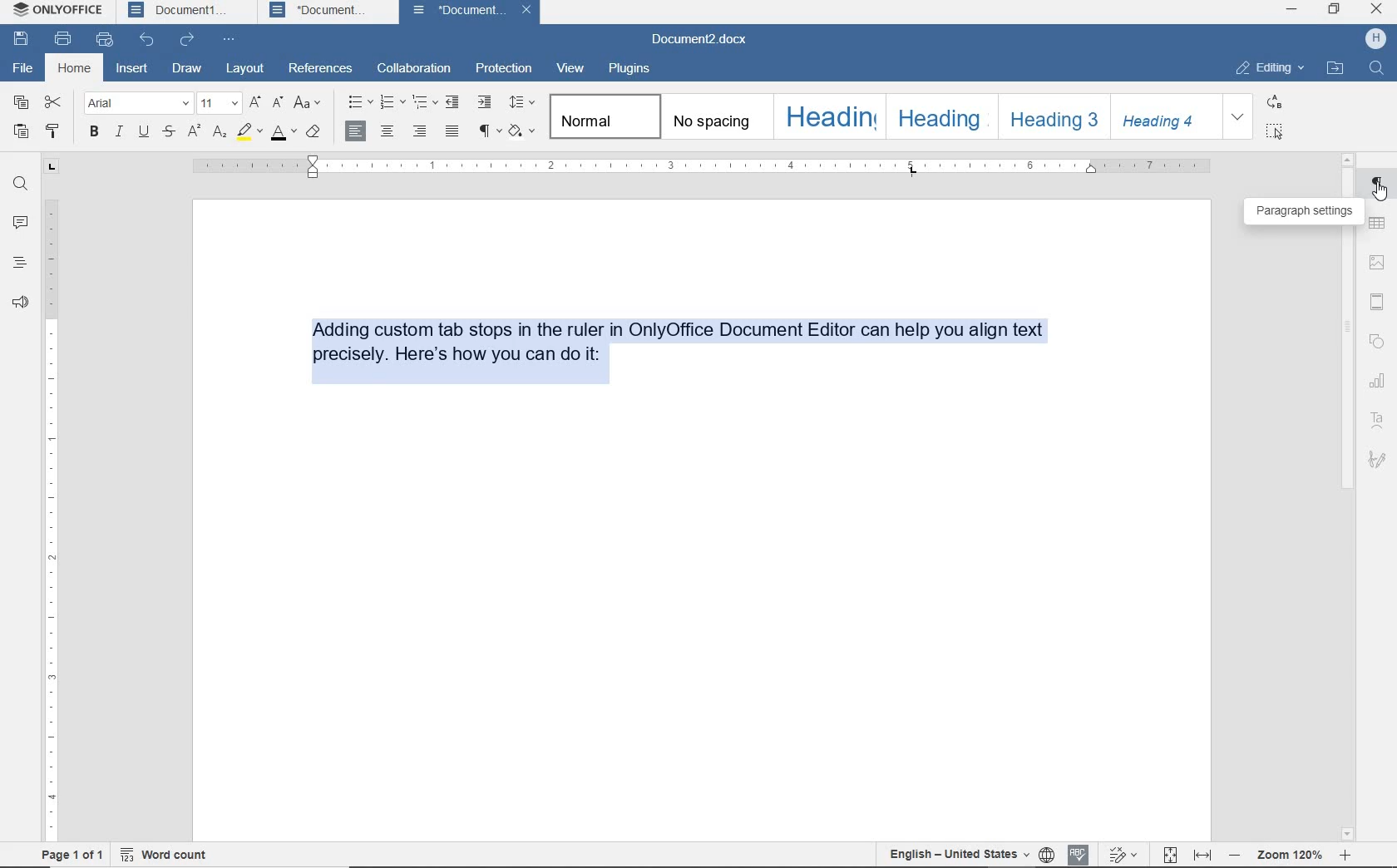 This screenshot has height=868, width=1397. What do you see at coordinates (1377, 37) in the screenshot?
I see `profile` at bounding box center [1377, 37].